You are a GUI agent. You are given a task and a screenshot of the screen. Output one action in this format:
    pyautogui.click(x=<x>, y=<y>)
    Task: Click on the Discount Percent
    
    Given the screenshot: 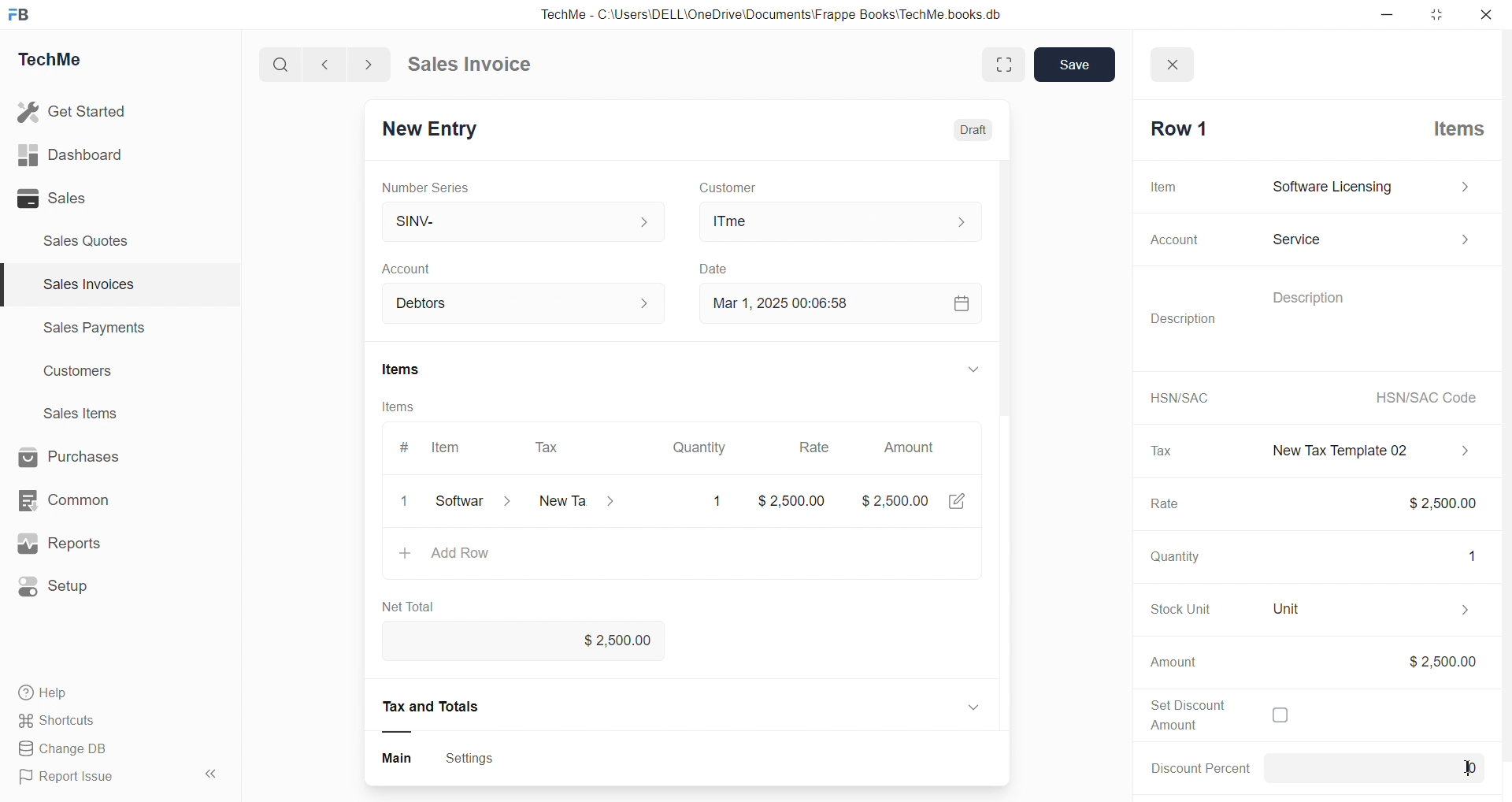 What is the action you would take?
    pyautogui.click(x=1195, y=767)
    